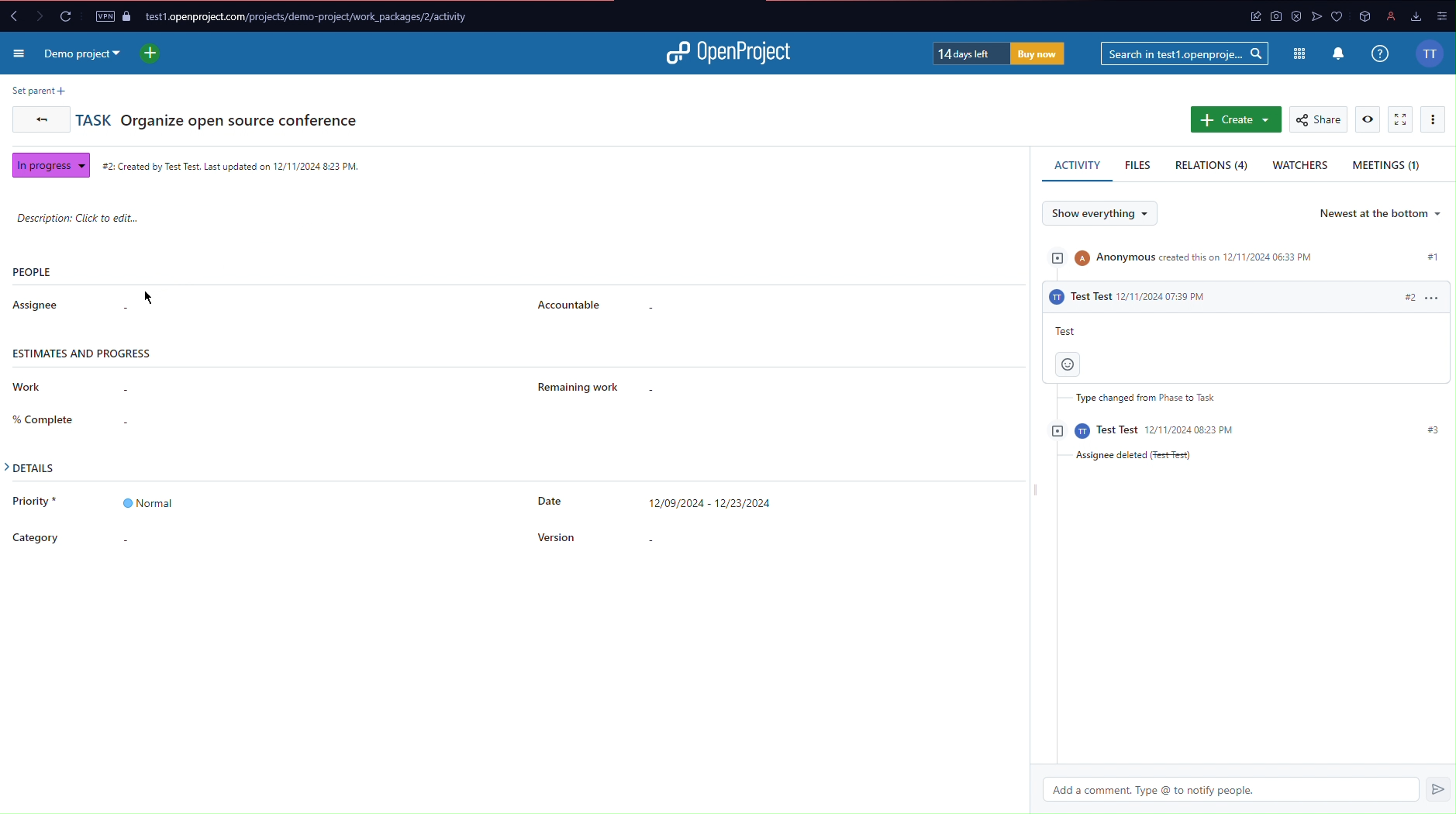 Image resolution: width=1456 pixels, height=814 pixels. What do you see at coordinates (233, 164) in the screenshot?
I see `Created Time` at bounding box center [233, 164].